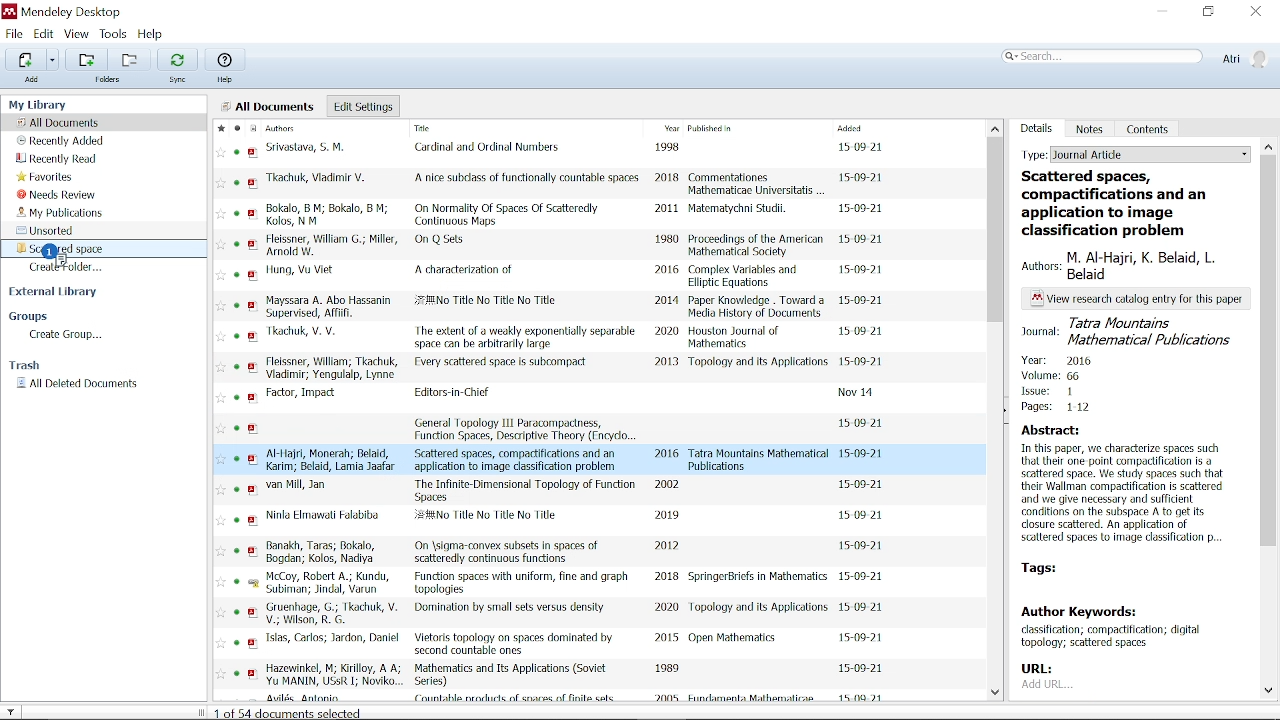  Describe the element at coordinates (528, 178) in the screenshot. I see `title` at that location.